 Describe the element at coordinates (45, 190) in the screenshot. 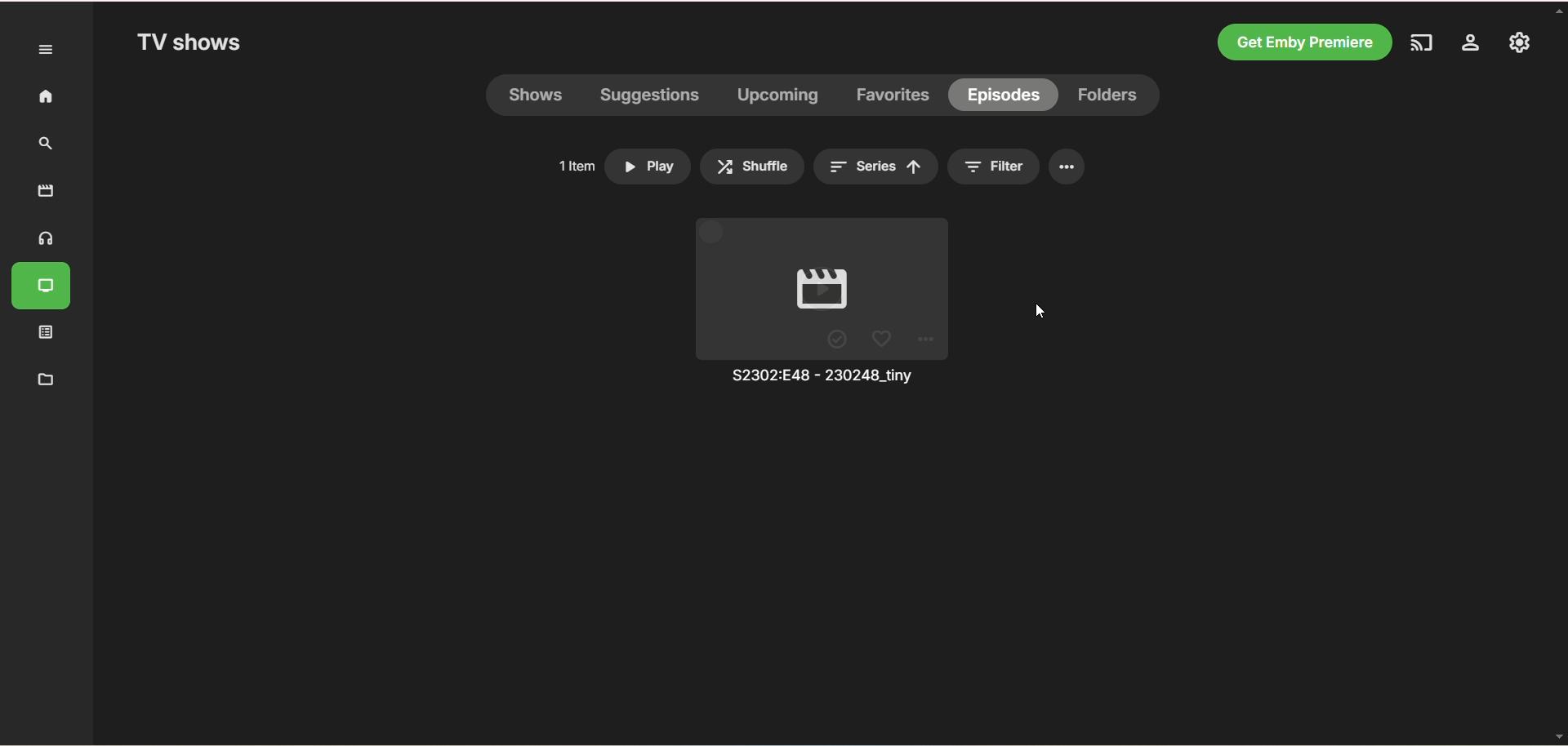

I see `movies` at that location.